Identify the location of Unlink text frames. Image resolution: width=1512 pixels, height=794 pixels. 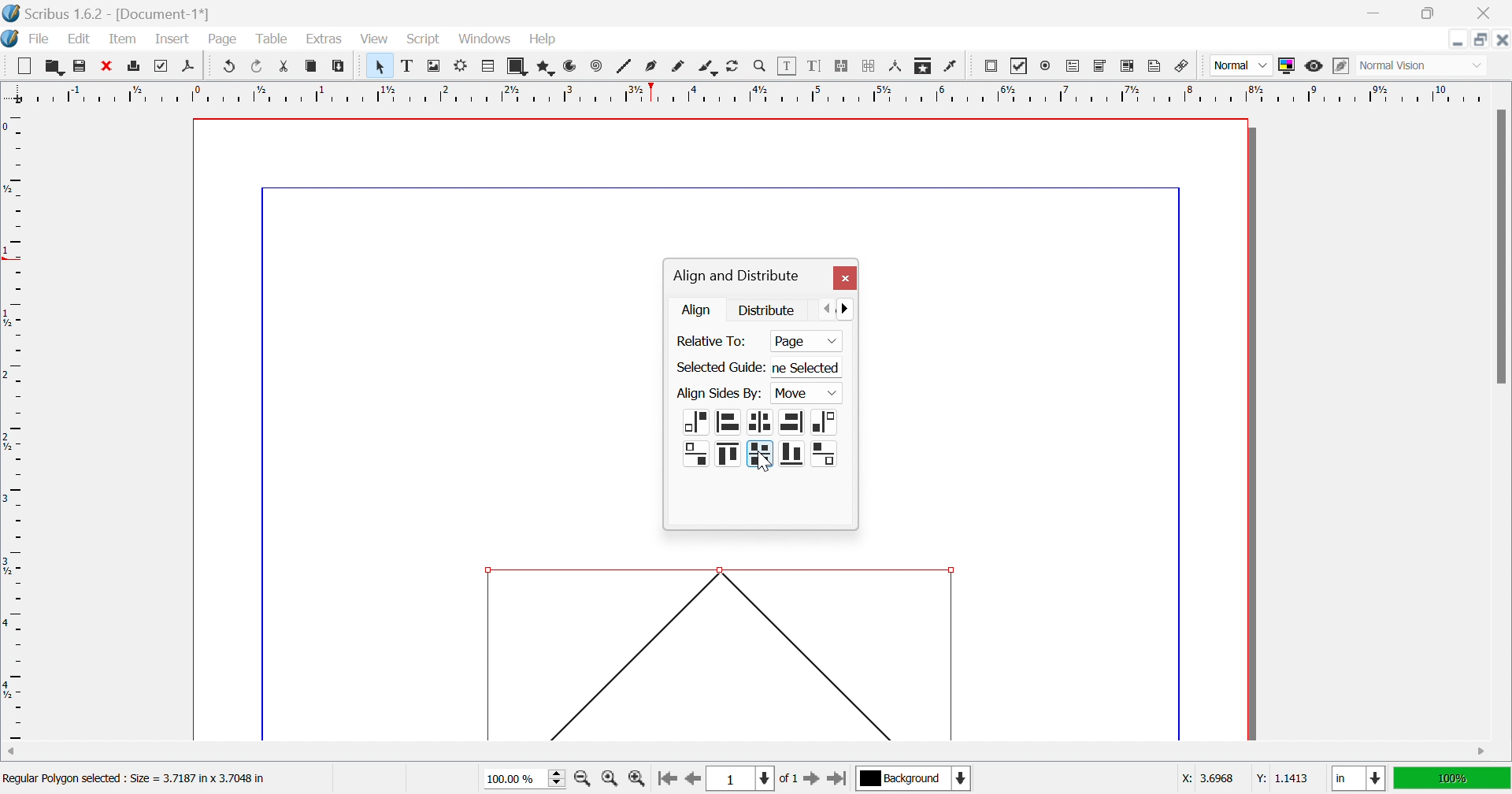
(869, 66).